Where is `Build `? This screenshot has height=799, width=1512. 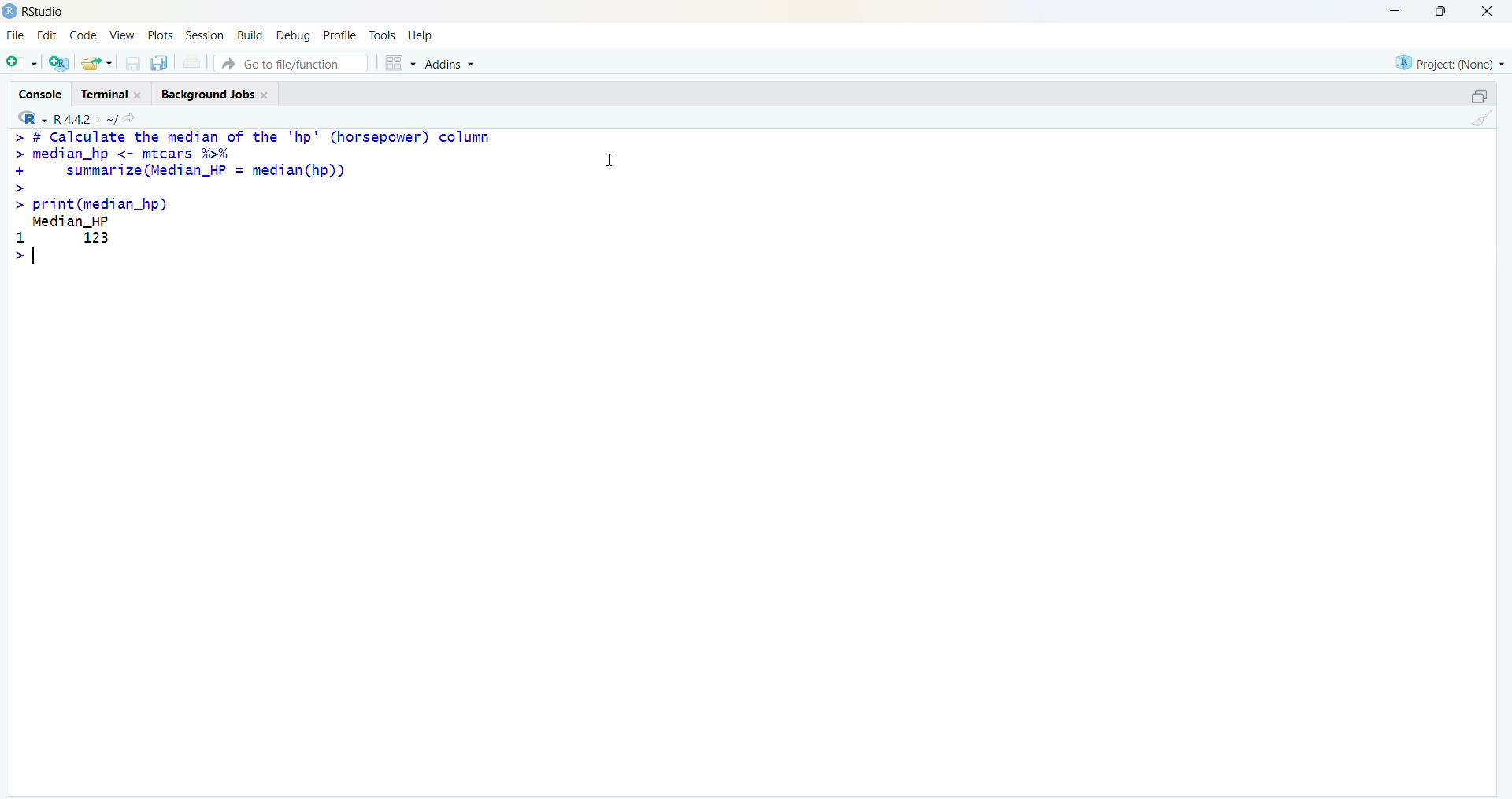
Build  is located at coordinates (252, 36).